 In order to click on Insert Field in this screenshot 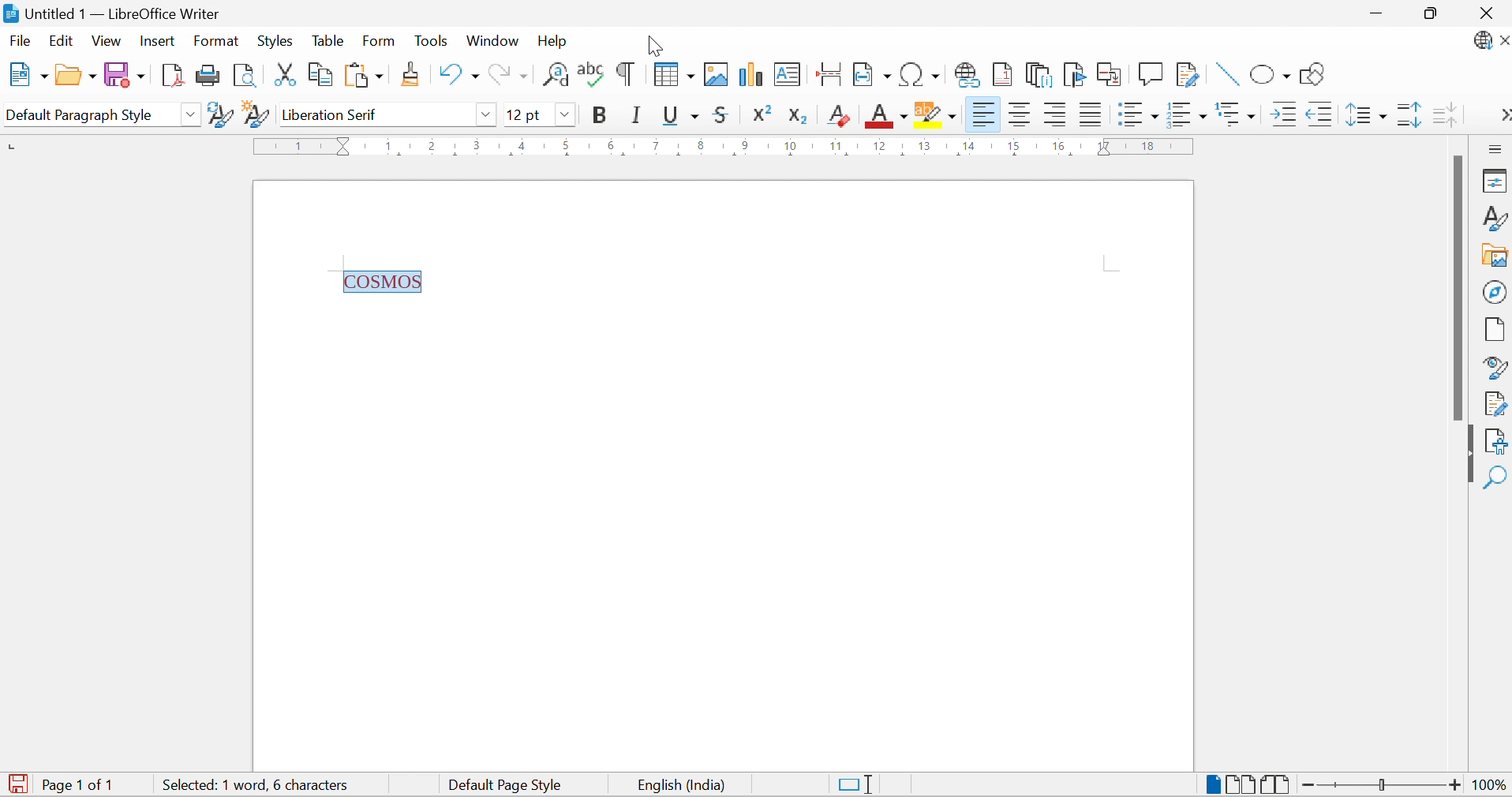, I will do `click(871, 73)`.